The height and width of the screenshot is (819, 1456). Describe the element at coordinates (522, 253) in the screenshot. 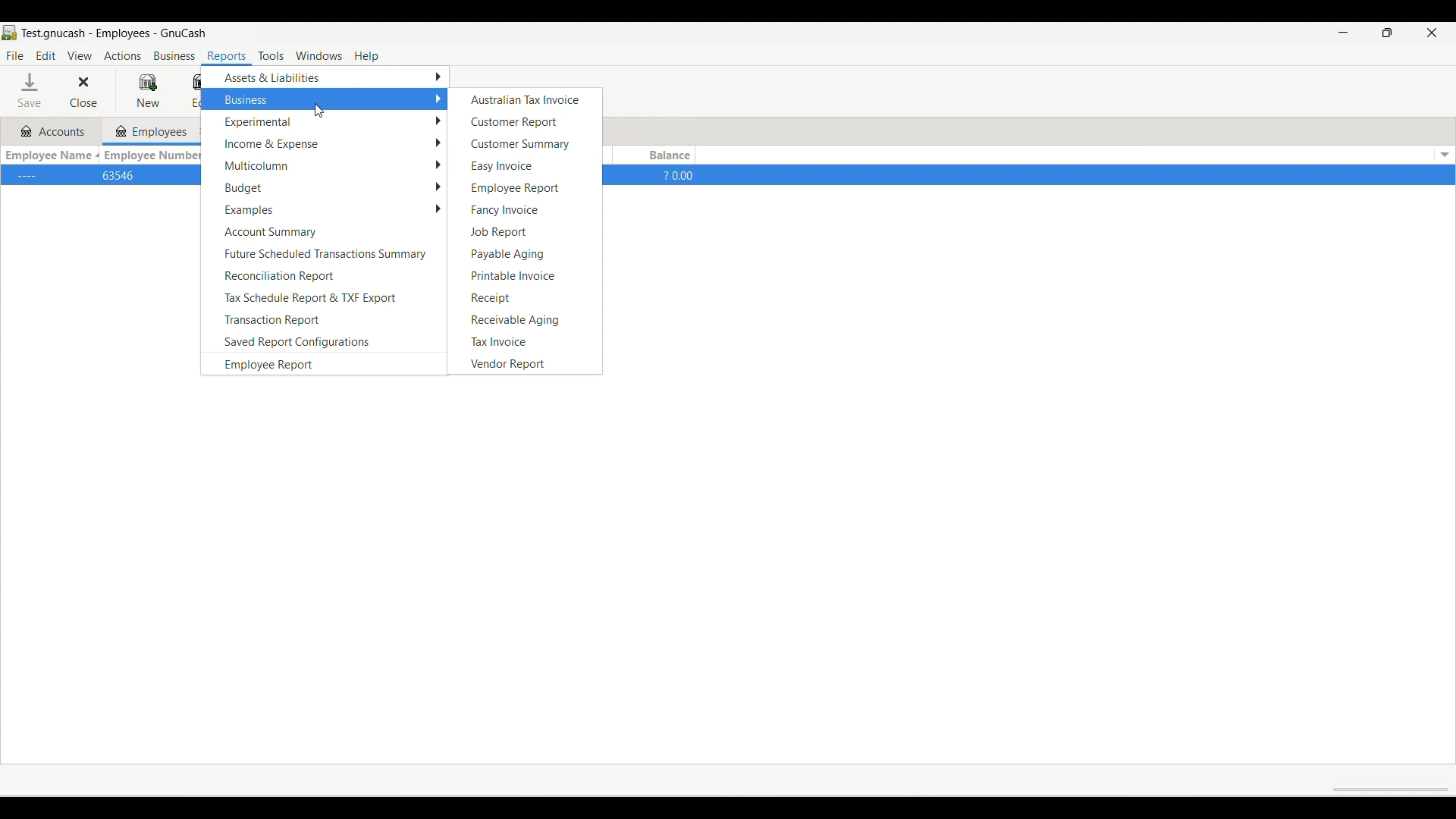

I see `Payable aging` at that location.